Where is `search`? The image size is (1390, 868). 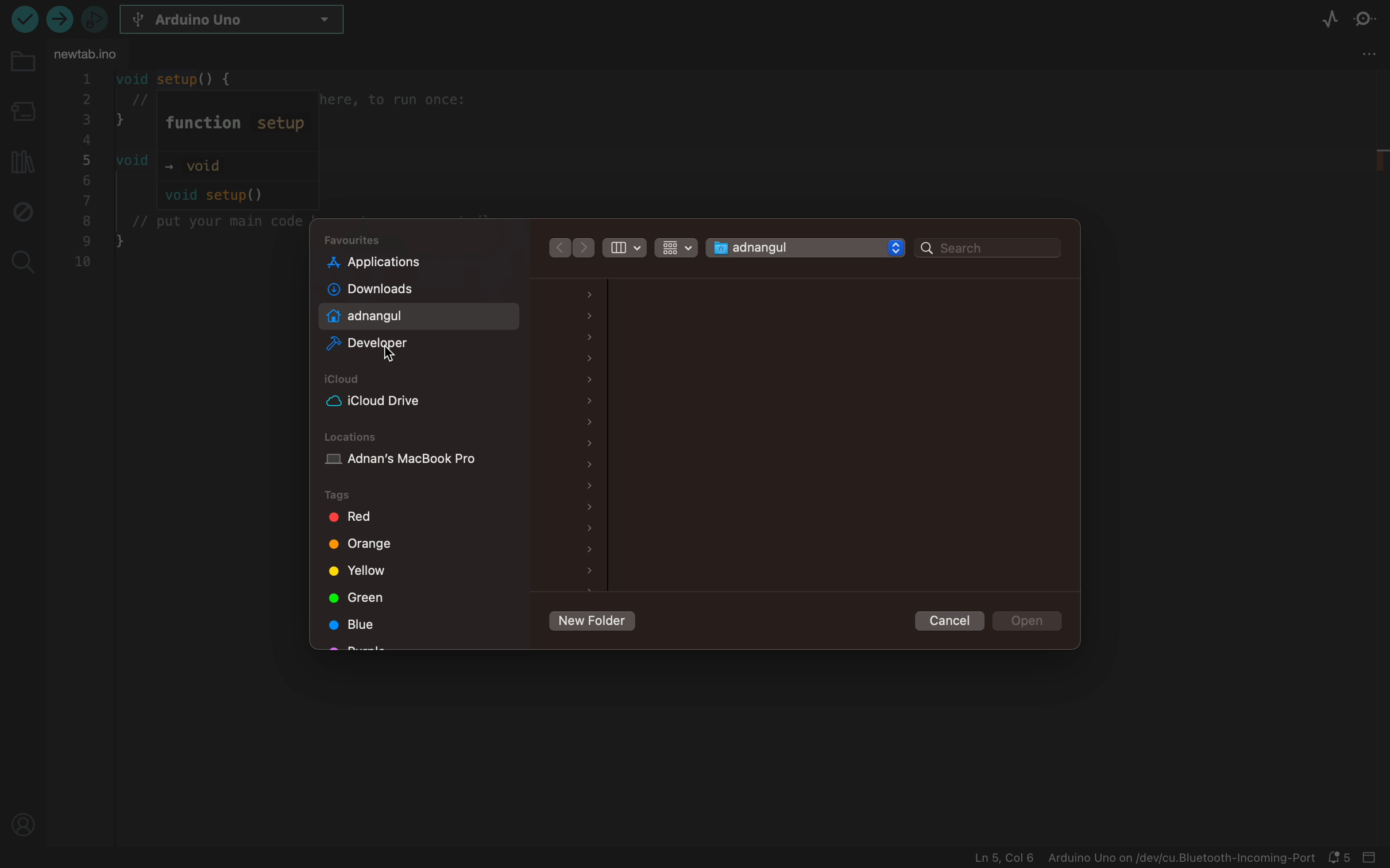
search is located at coordinates (21, 259).